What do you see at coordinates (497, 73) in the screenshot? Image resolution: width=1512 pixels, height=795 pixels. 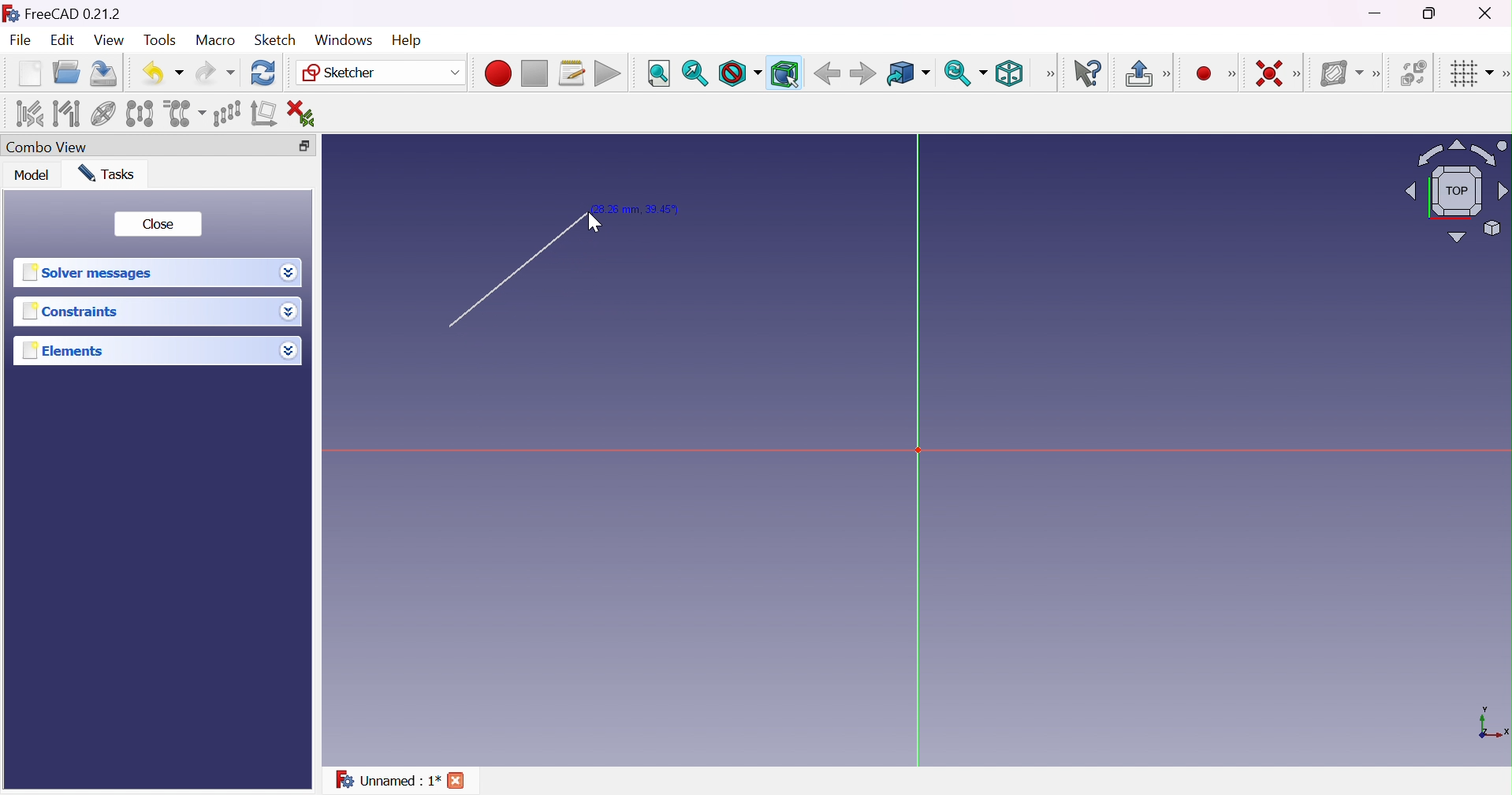 I see `Macros recording` at bounding box center [497, 73].